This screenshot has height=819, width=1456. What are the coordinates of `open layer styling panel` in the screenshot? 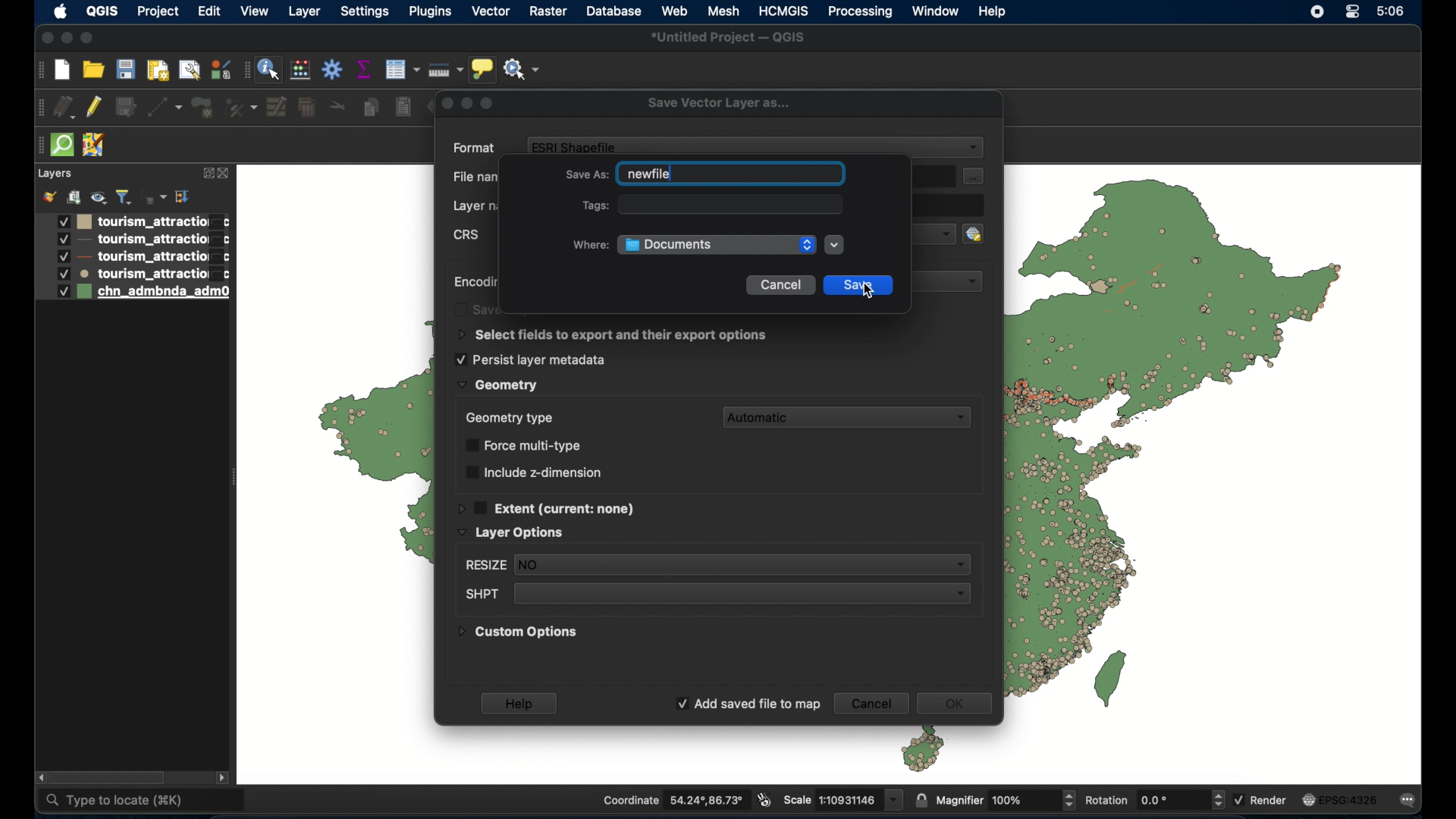 It's located at (49, 196).